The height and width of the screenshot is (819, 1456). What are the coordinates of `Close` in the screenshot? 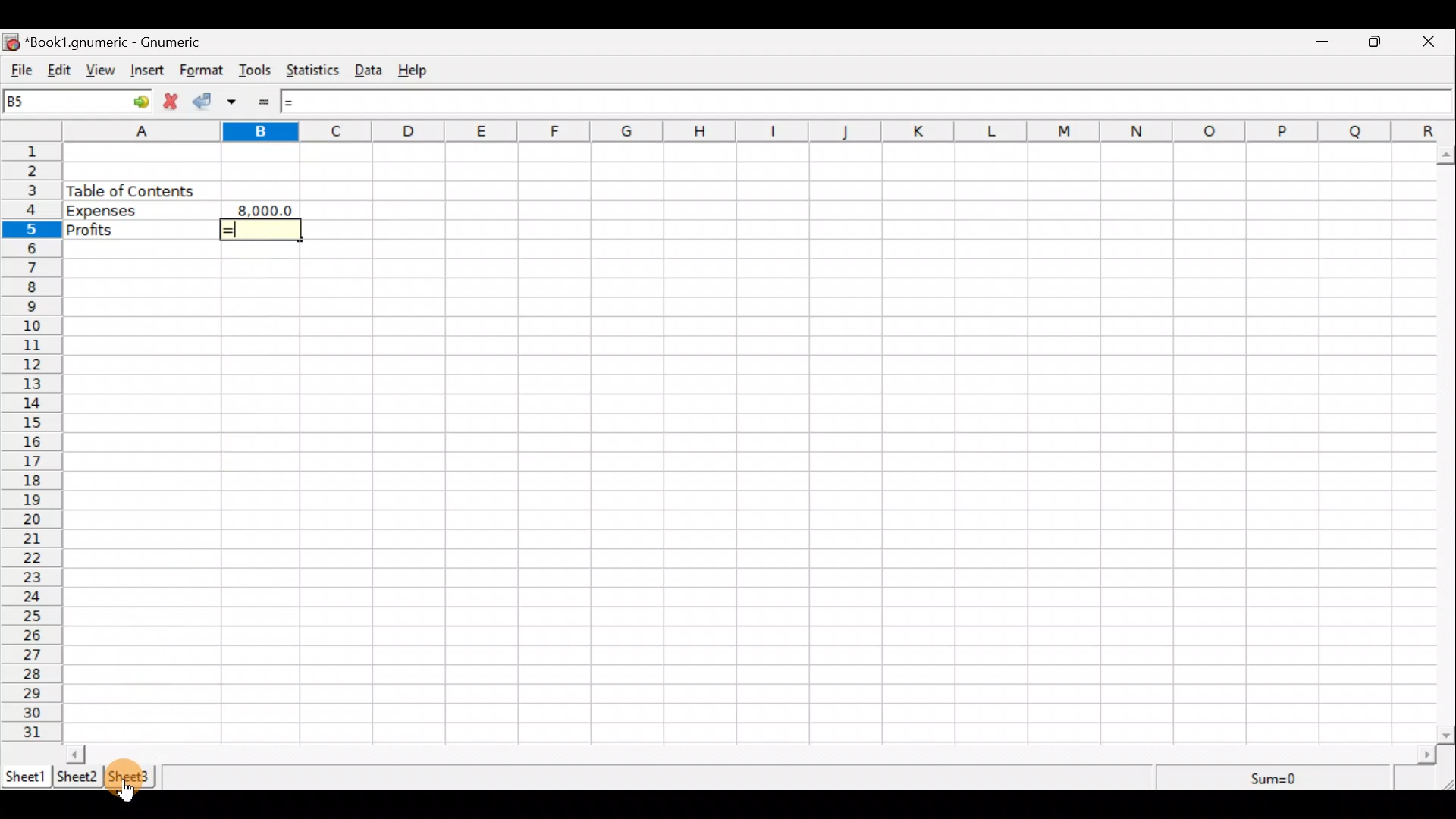 It's located at (1435, 42).